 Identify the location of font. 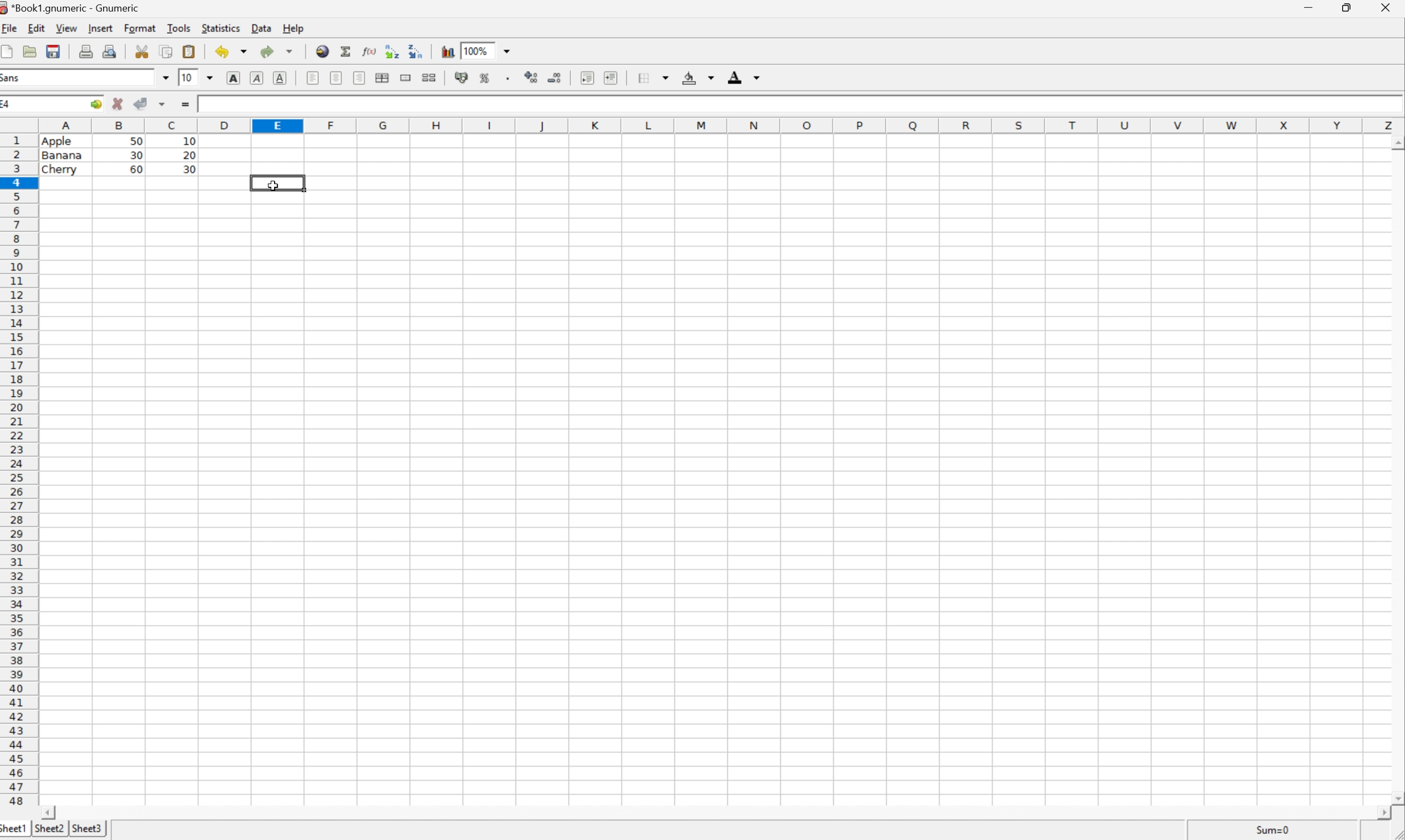
(13, 79).